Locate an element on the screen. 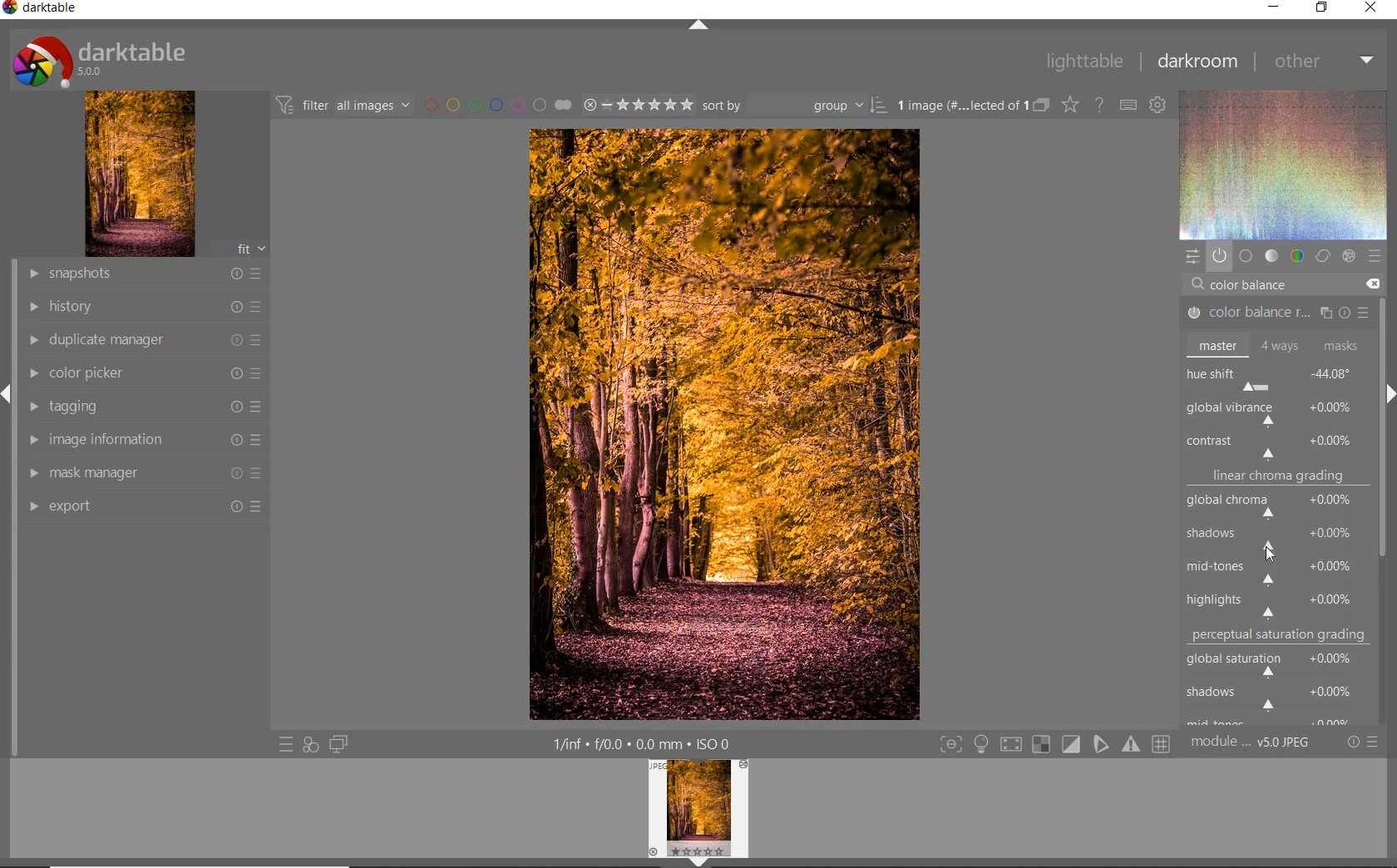 This screenshot has height=868, width=1397. enable for online help is located at coordinates (1101, 105).